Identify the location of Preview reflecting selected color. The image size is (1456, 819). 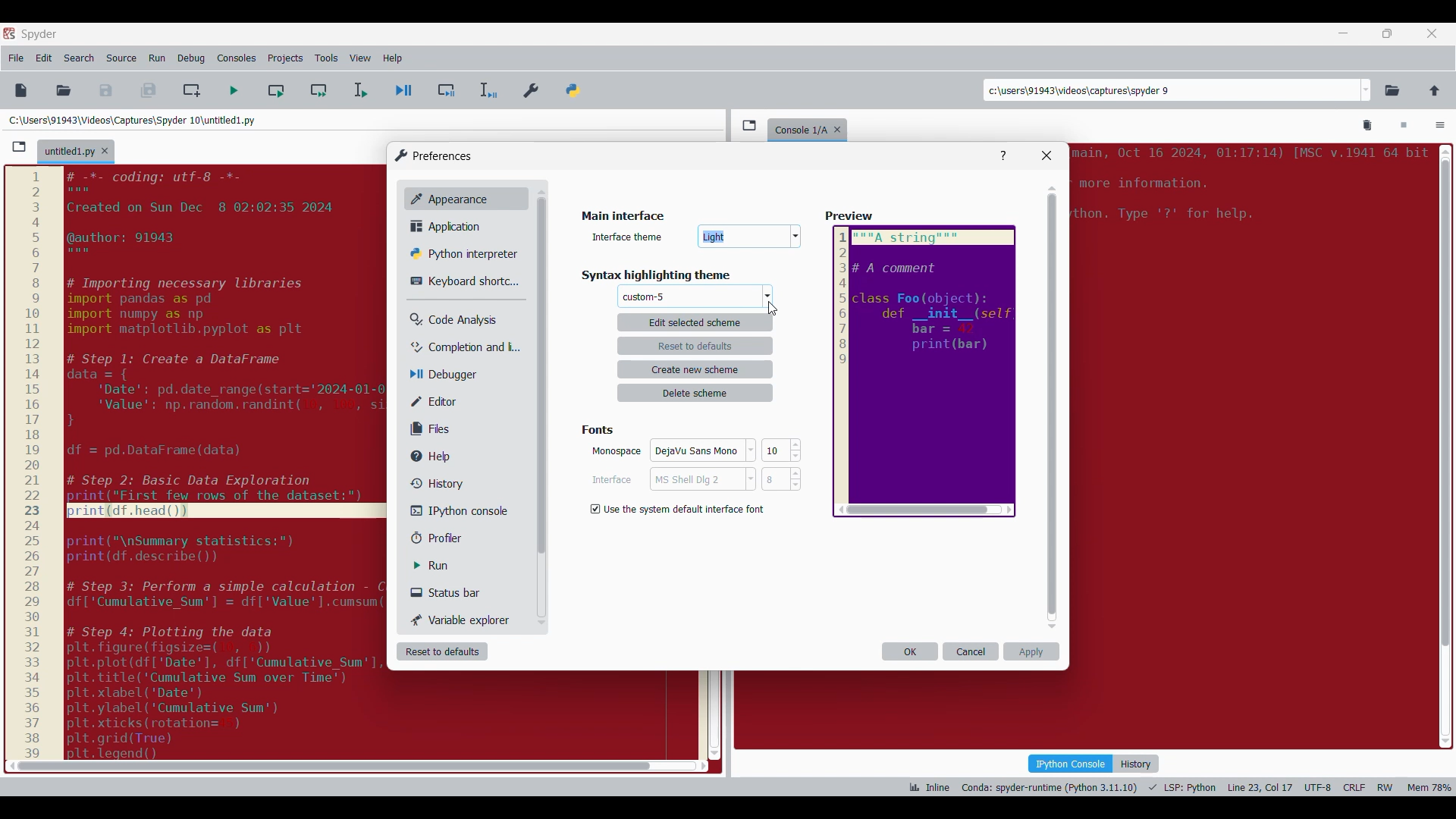
(923, 372).